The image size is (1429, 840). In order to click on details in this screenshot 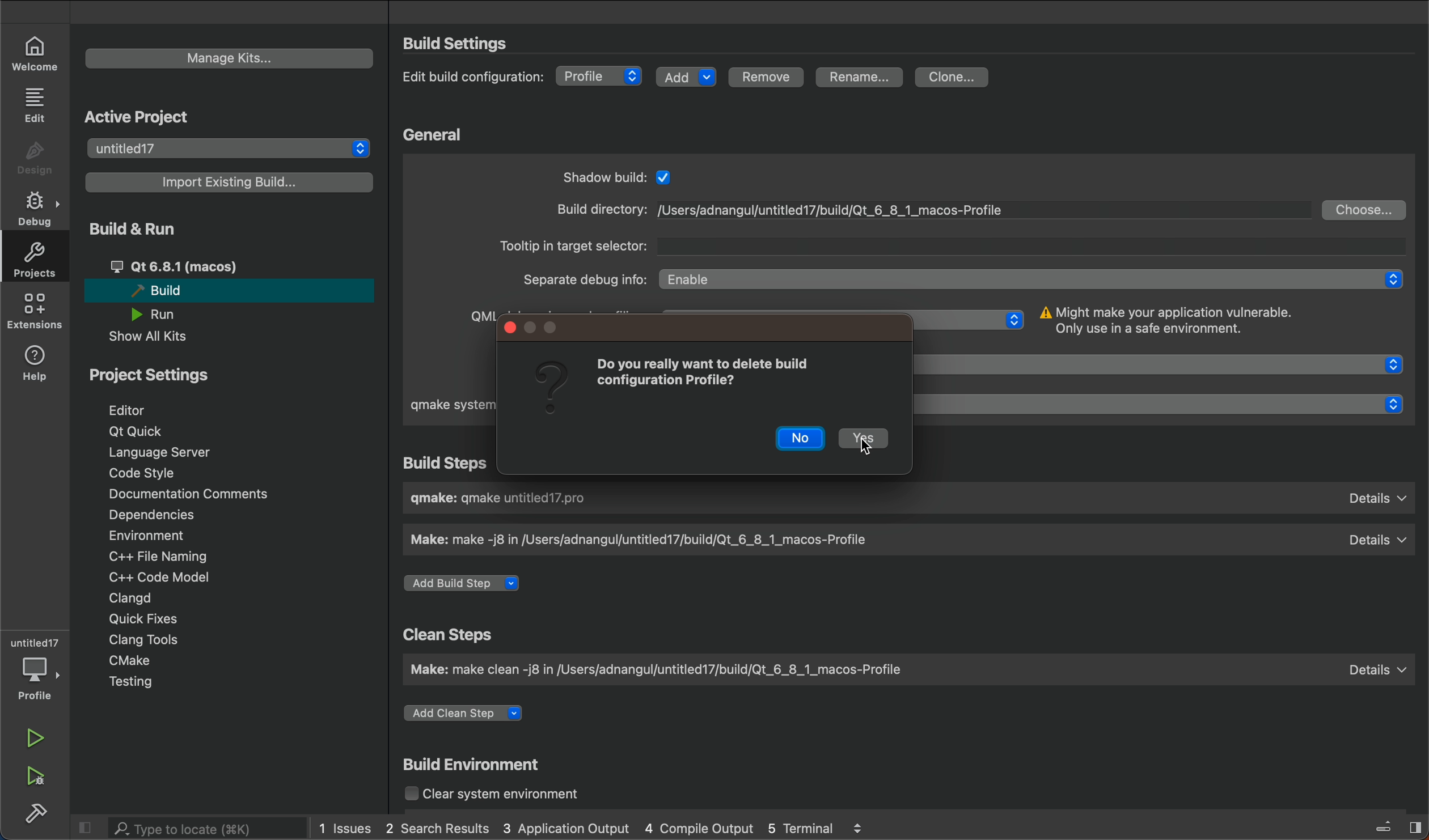, I will do `click(1378, 540)`.